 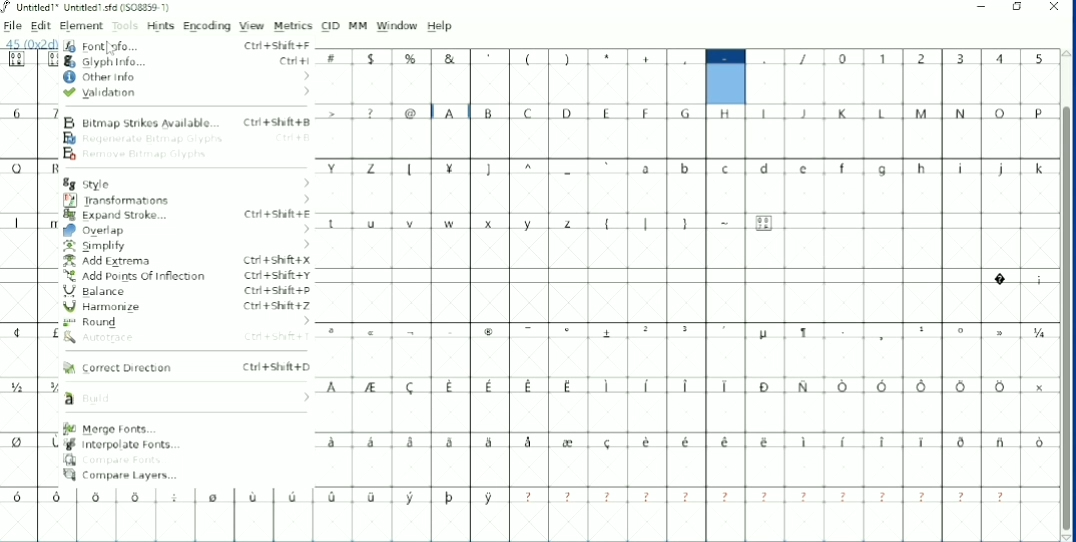 What do you see at coordinates (942, 59) in the screenshot?
I see `Numbers` at bounding box center [942, 59].